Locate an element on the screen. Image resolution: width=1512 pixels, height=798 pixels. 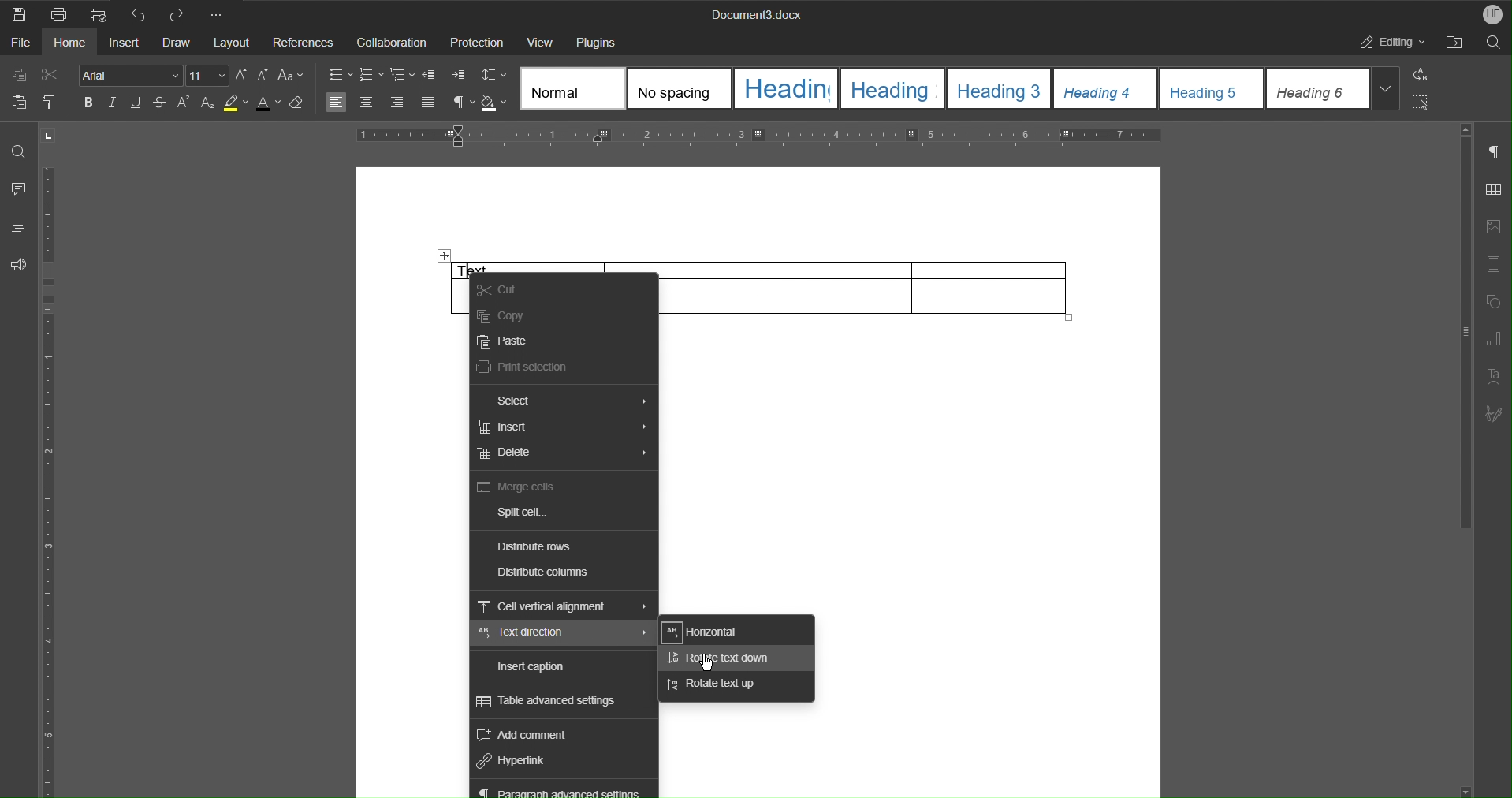
Heading 3 is located at coordinates (999, 88).